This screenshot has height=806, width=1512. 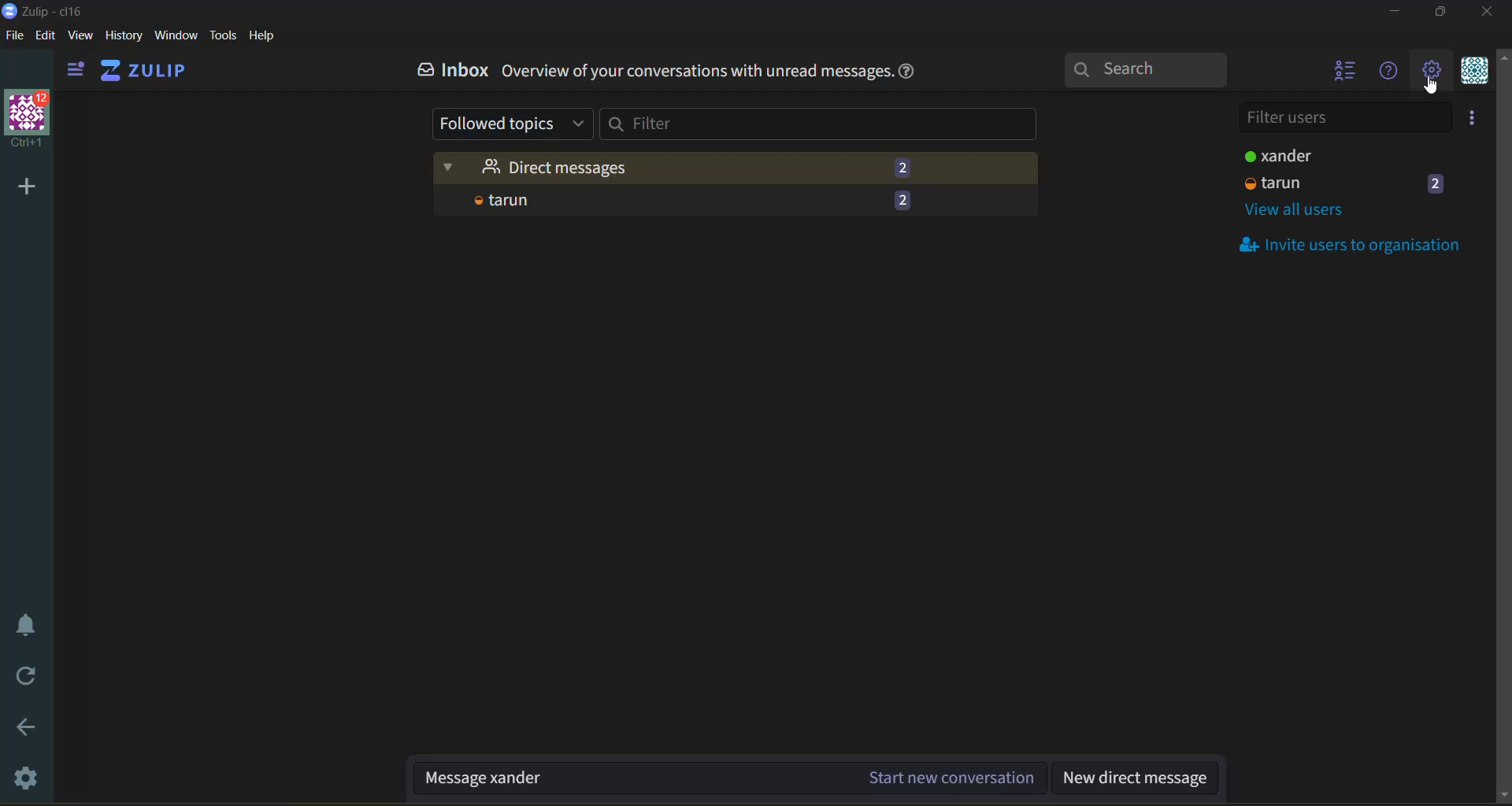 What do you see at coordinates (46, 35) in the screenshot?
I see `edit` at bounding box center [46, 35].